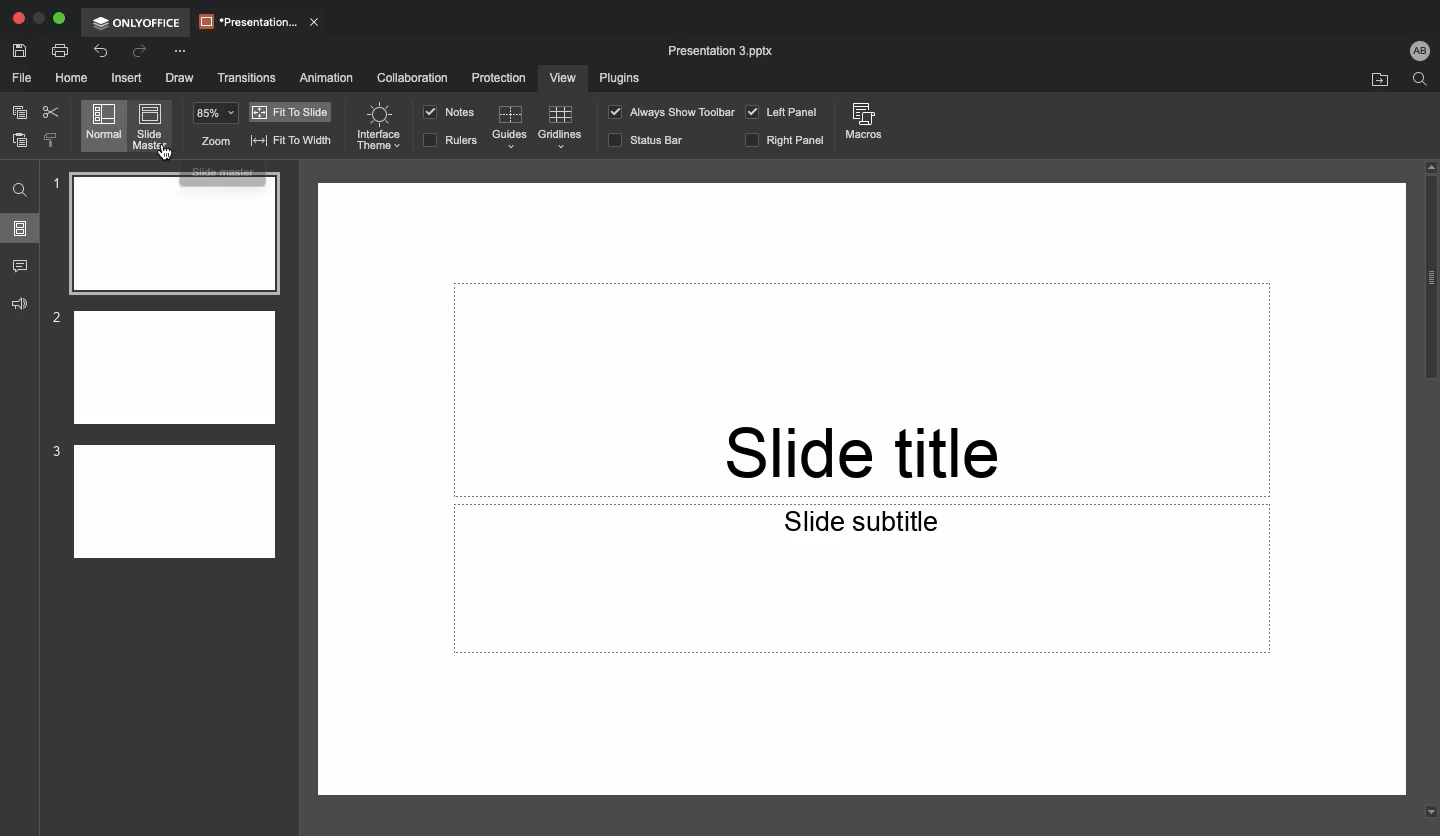  What do you see at coordinates (21, 142) in the screenshot?
I see `Paste` at bounding box center [21, 142].